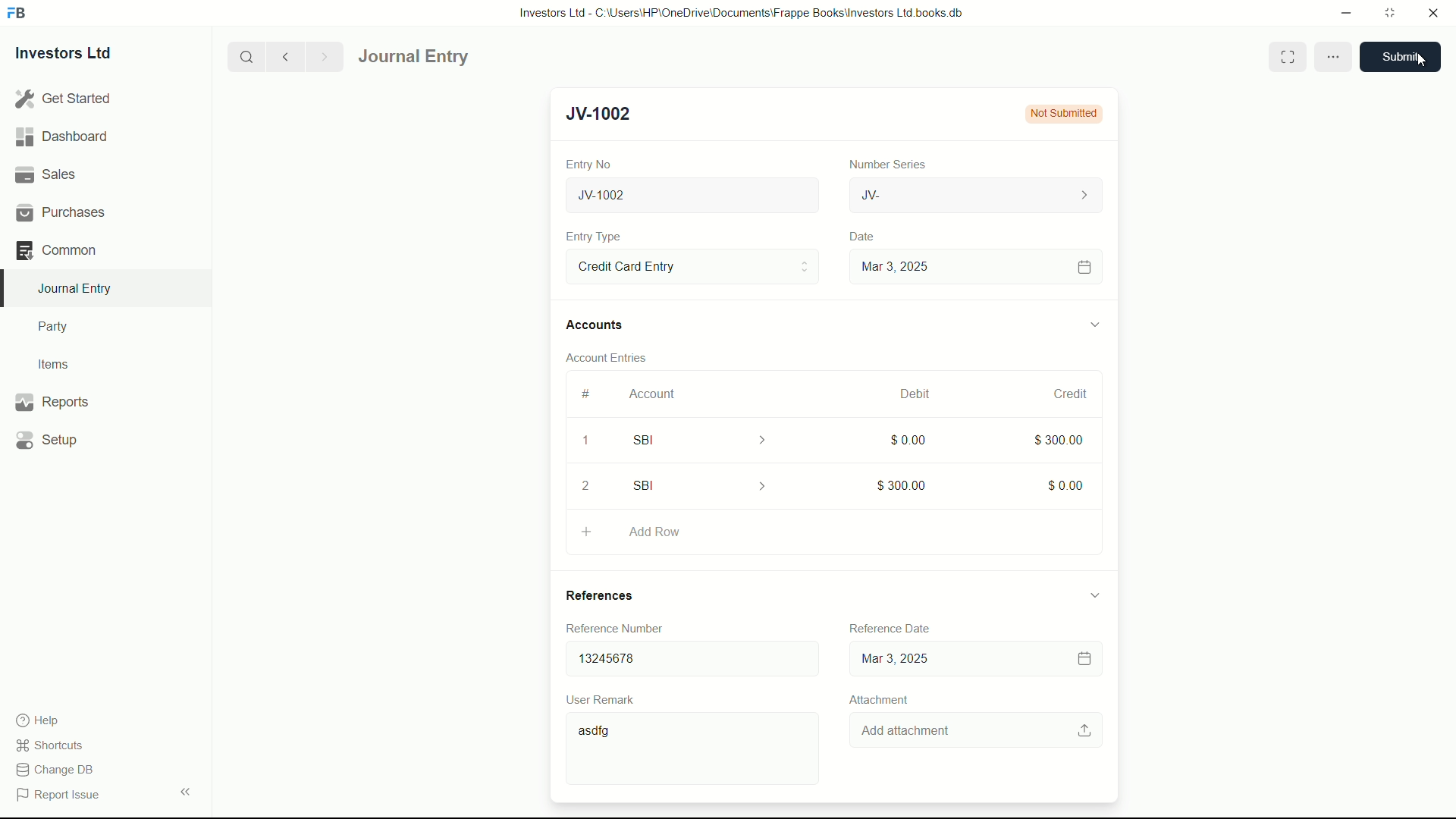 The height and width of the screenshot is (819, 1456). I want to click on #, so click(587, 394).